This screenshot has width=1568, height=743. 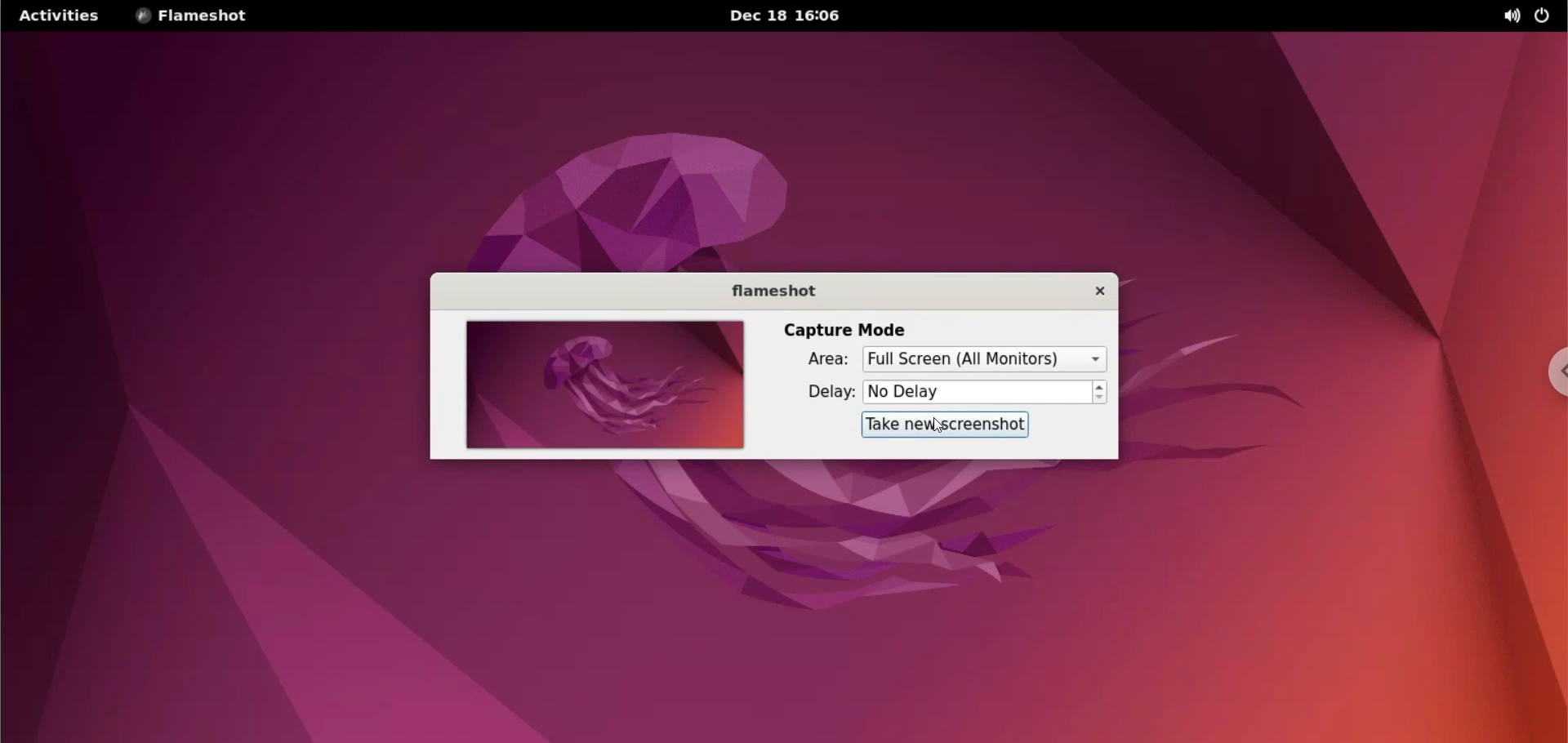 I want to click on flameshot label, so click(x=778, y=291).